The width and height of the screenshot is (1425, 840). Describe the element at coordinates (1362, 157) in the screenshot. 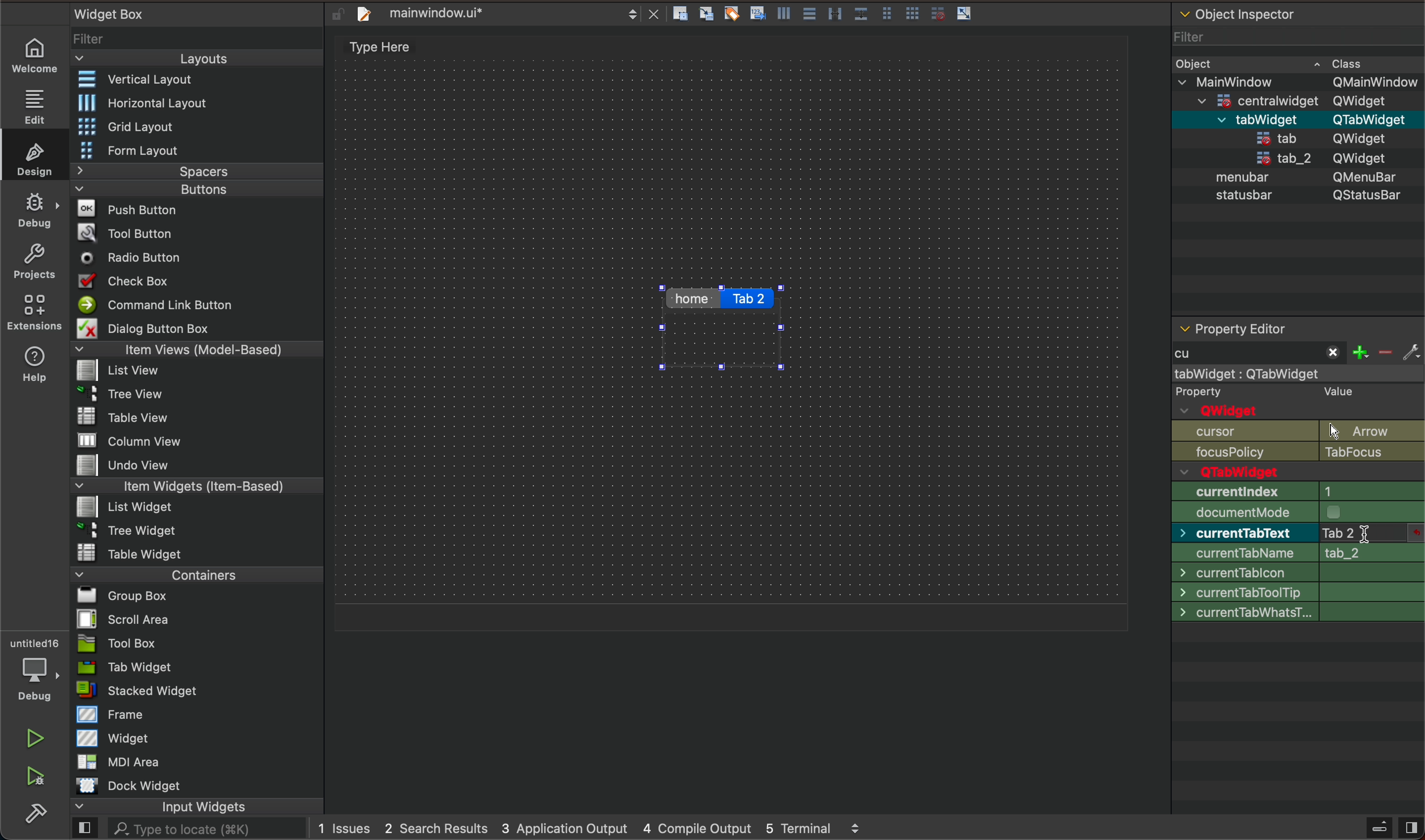

I see `QWidget` at that location.